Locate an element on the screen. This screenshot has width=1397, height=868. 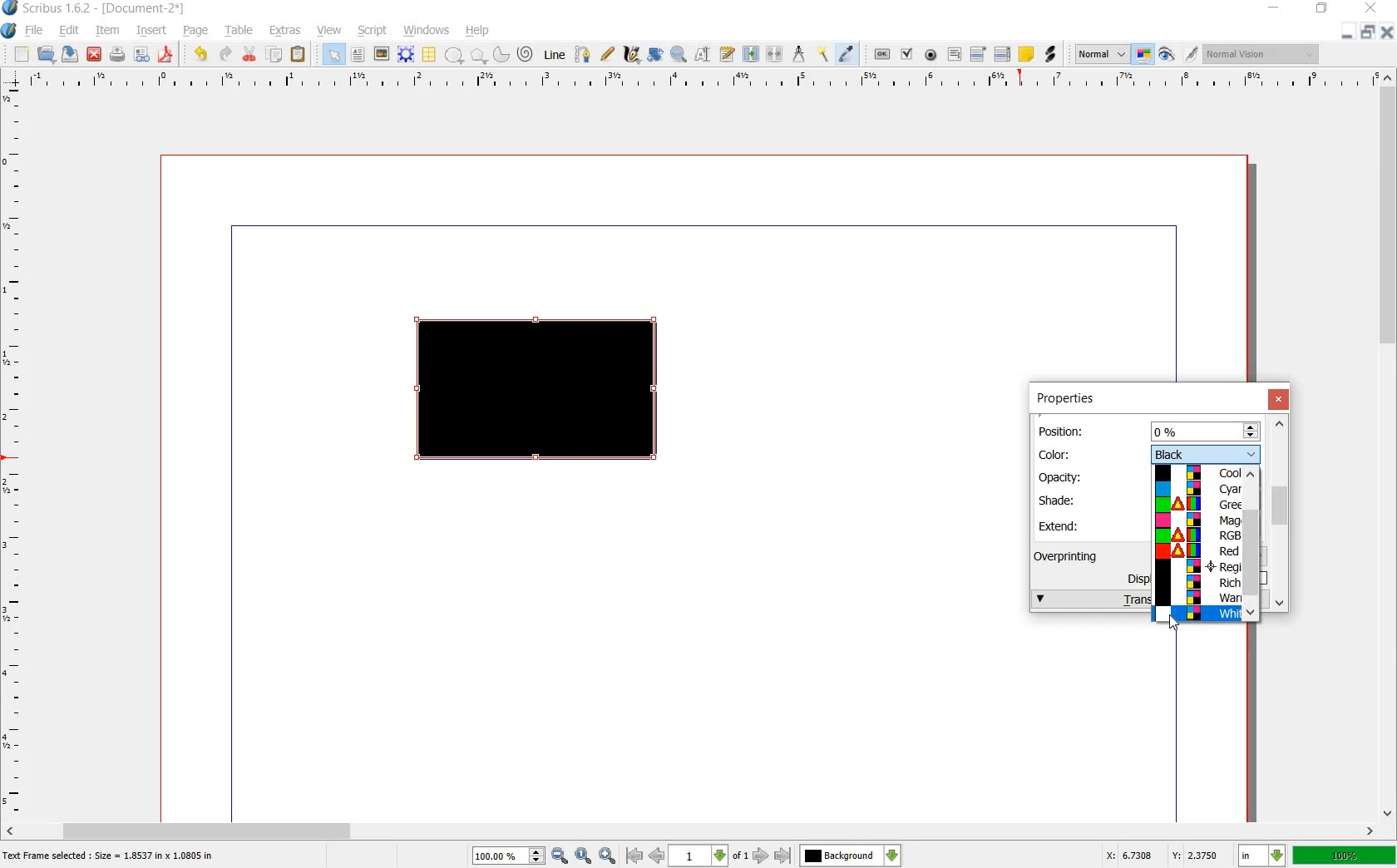
shape is located at coordinates (454, 56).